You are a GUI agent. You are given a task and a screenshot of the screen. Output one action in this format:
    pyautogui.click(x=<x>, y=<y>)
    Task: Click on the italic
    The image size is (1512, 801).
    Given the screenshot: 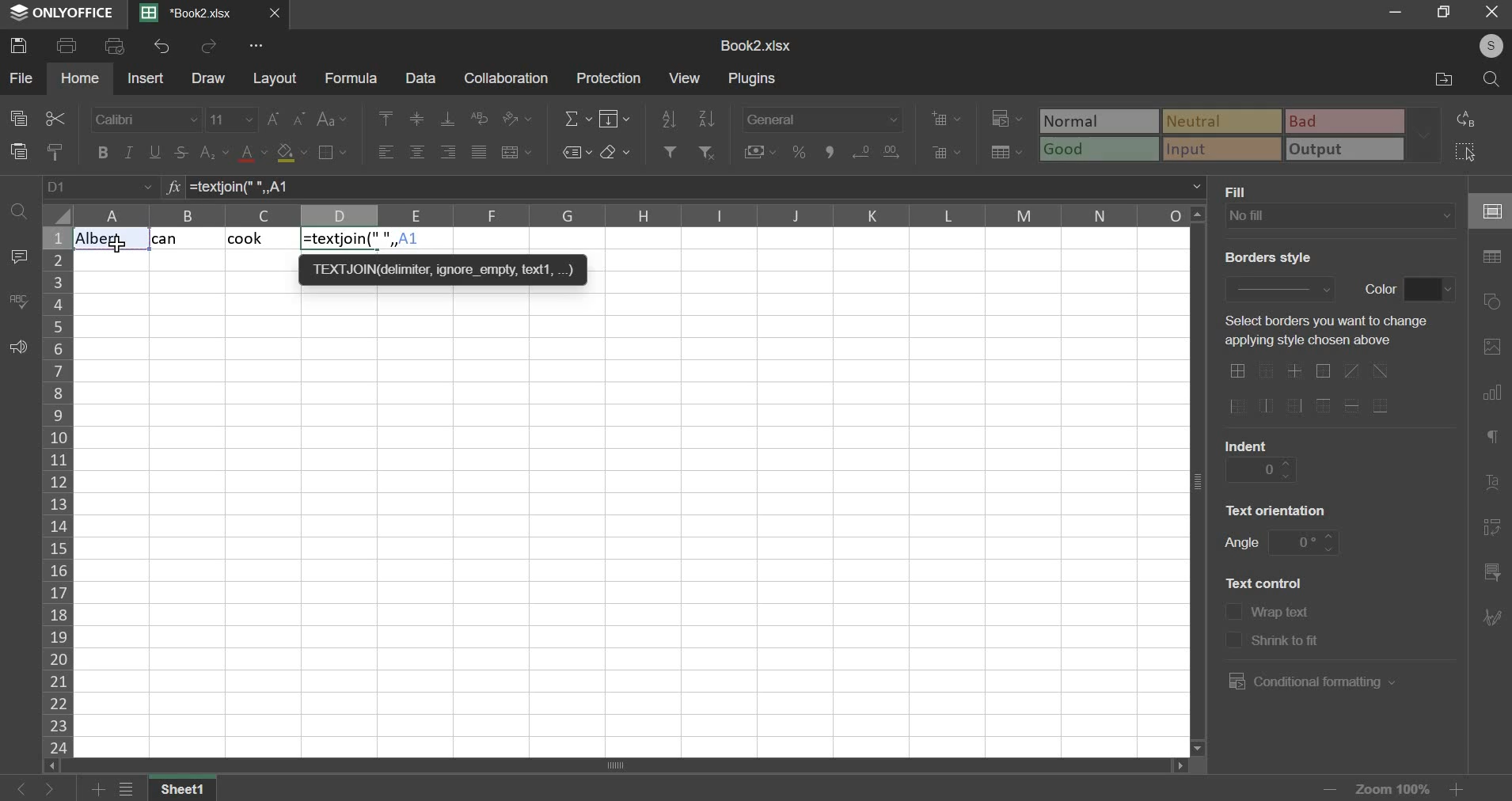 What is the action you would take?
    pyautogui.click(x=128, y=152)
    